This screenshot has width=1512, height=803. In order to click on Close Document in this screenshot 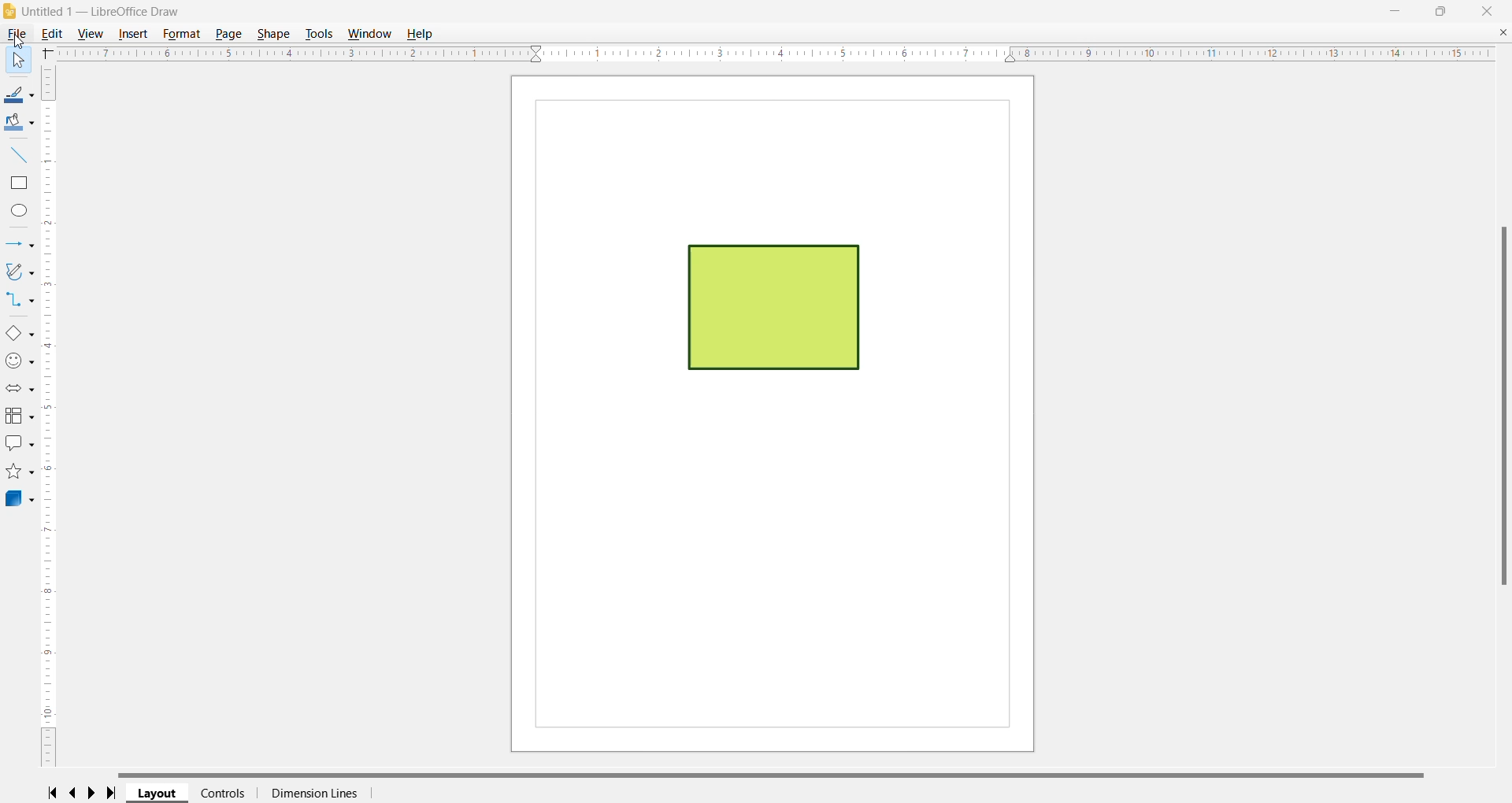, I will do `click(1503, 33)`.